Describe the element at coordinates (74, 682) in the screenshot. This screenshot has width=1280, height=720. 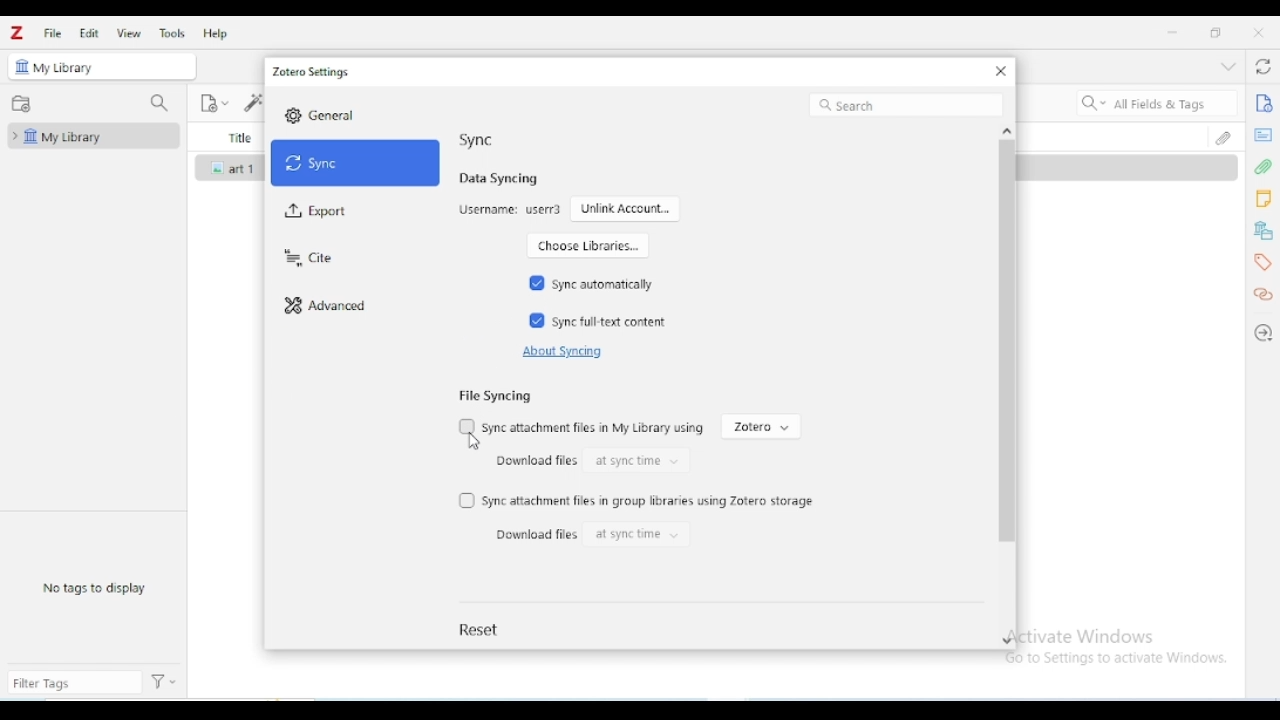
I see `filter tags` at that location.